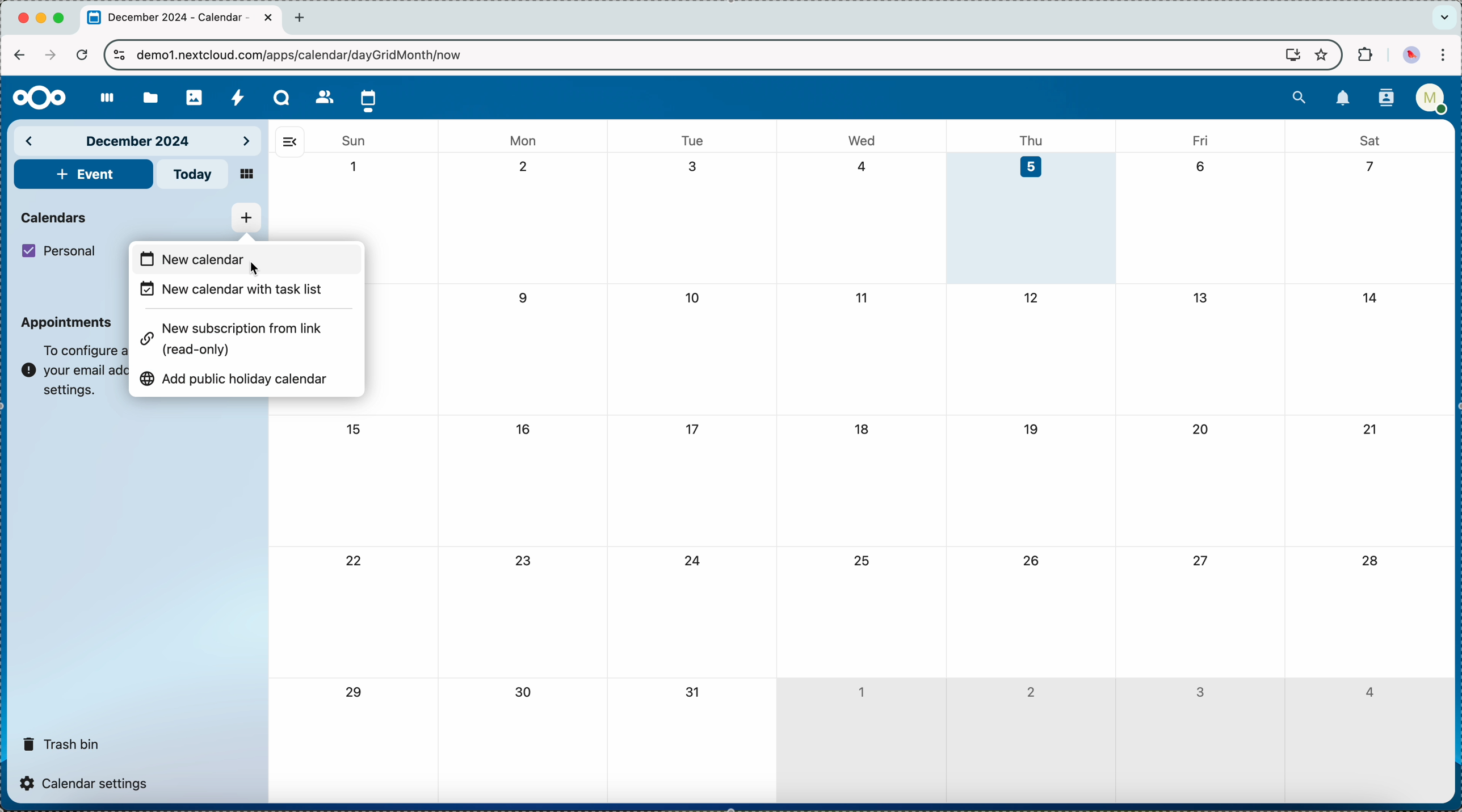  Describe the element at coordinates (1287, 56) in the screenshot. I see `screen` at that location.